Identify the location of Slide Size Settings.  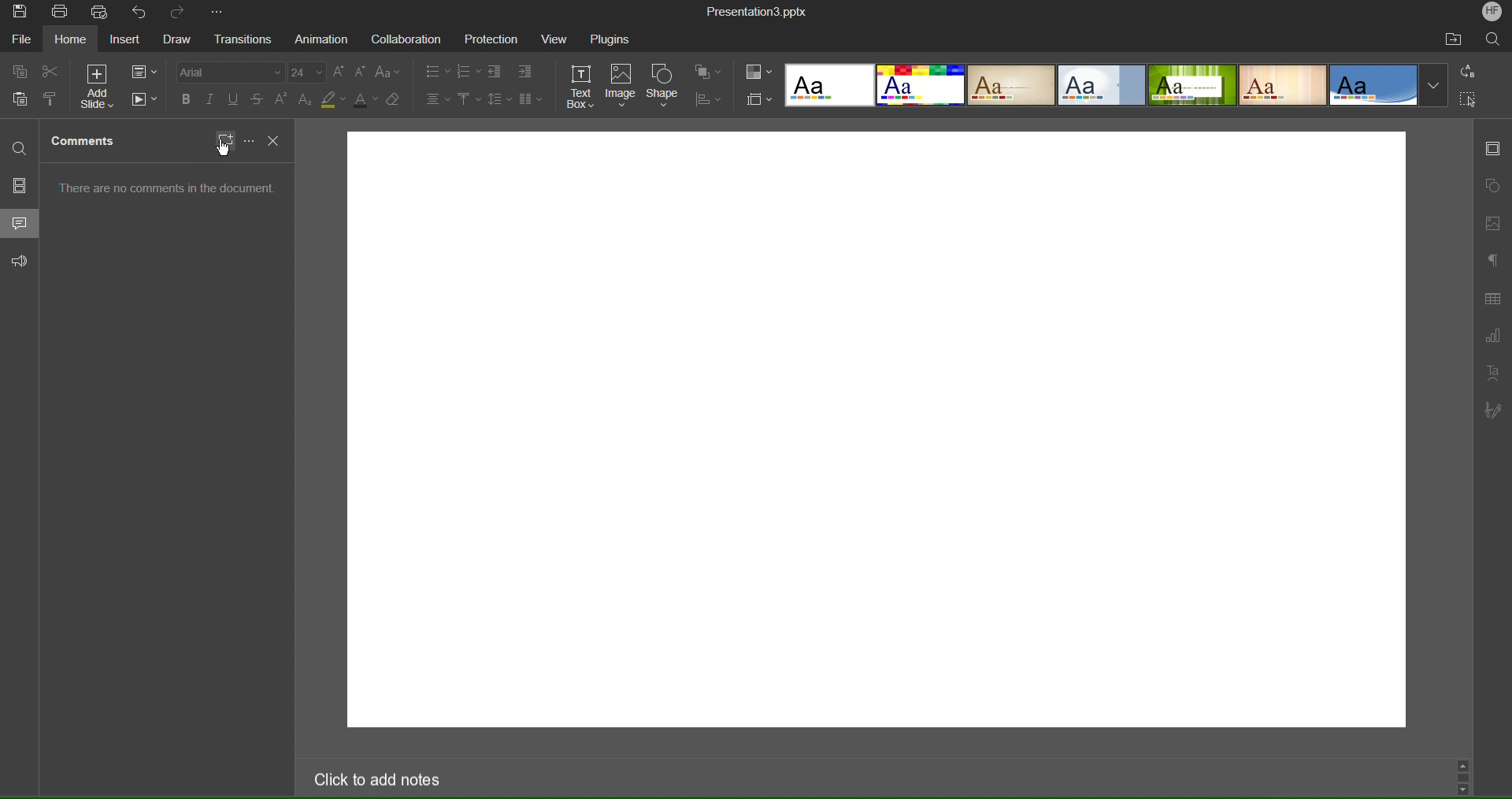
(759, 100).